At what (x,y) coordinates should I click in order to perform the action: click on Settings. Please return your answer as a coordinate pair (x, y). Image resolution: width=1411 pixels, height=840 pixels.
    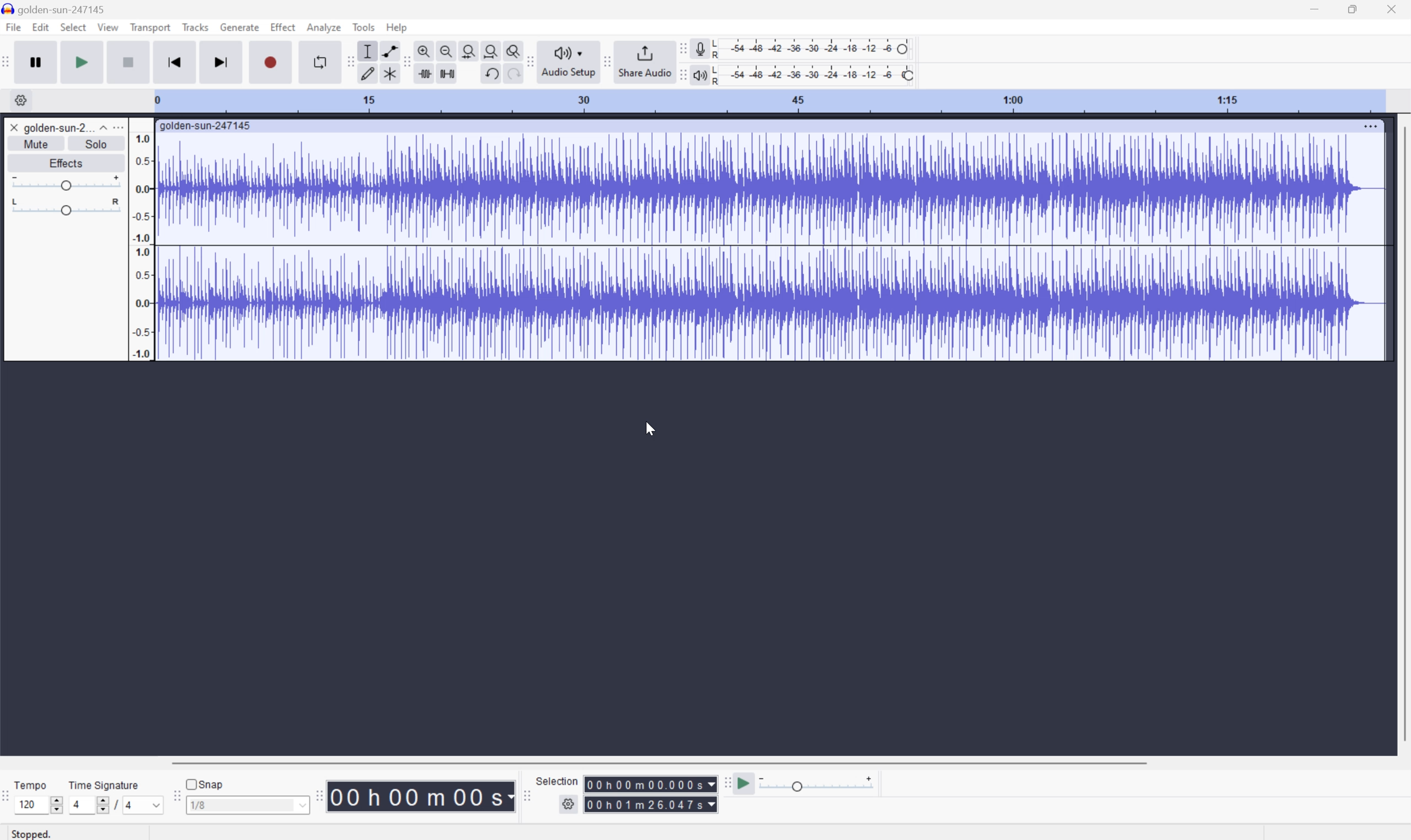
    Looking at the image, I should click on (19, 100).